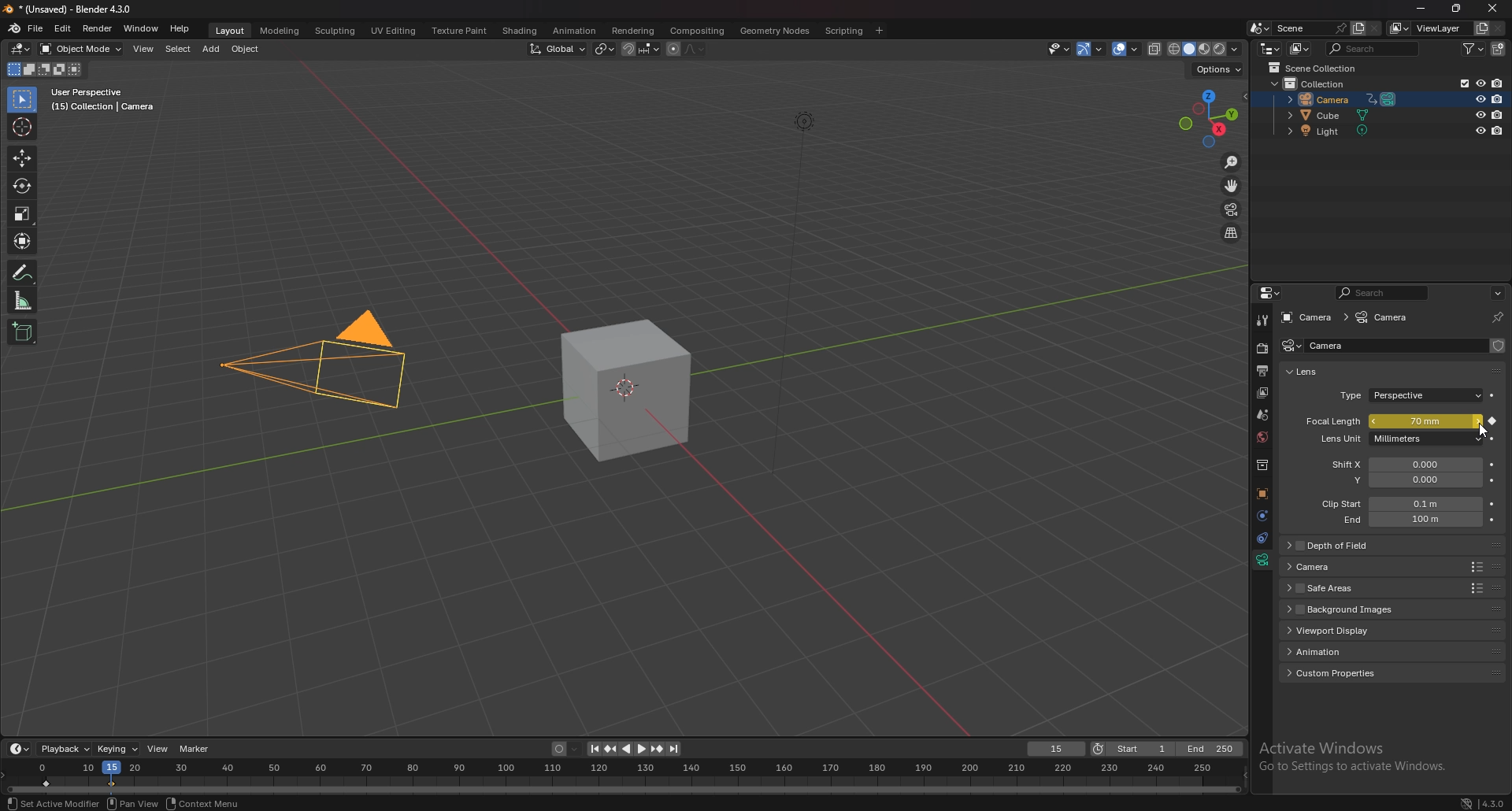 This screenshot has width=1512, height=811. Describe the element at coordinates (603, 49) in the screenshot. I see `transform pivot point` at that location.